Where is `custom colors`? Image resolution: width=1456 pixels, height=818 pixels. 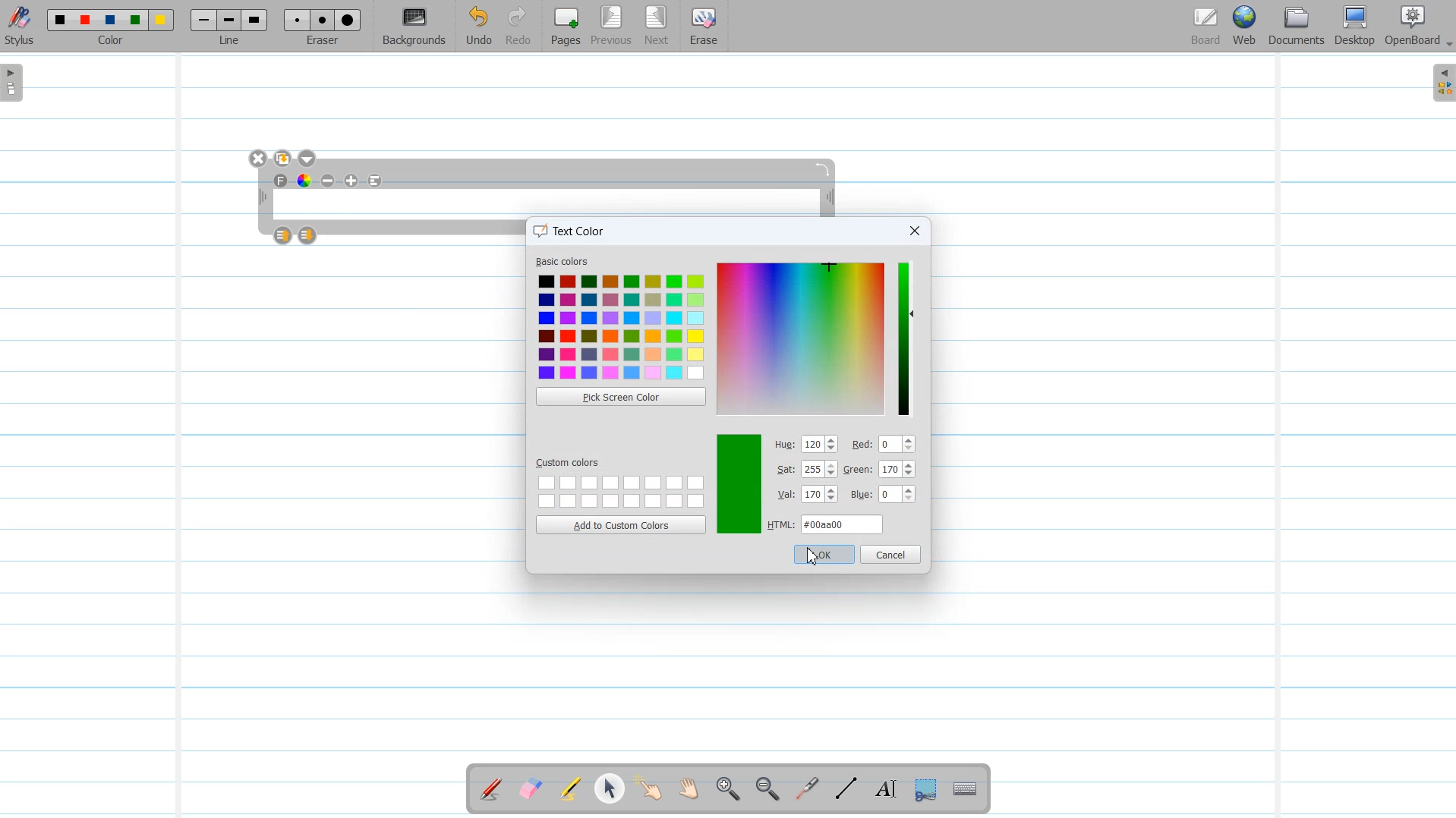 custom colors is located at coordinates (571, 461).